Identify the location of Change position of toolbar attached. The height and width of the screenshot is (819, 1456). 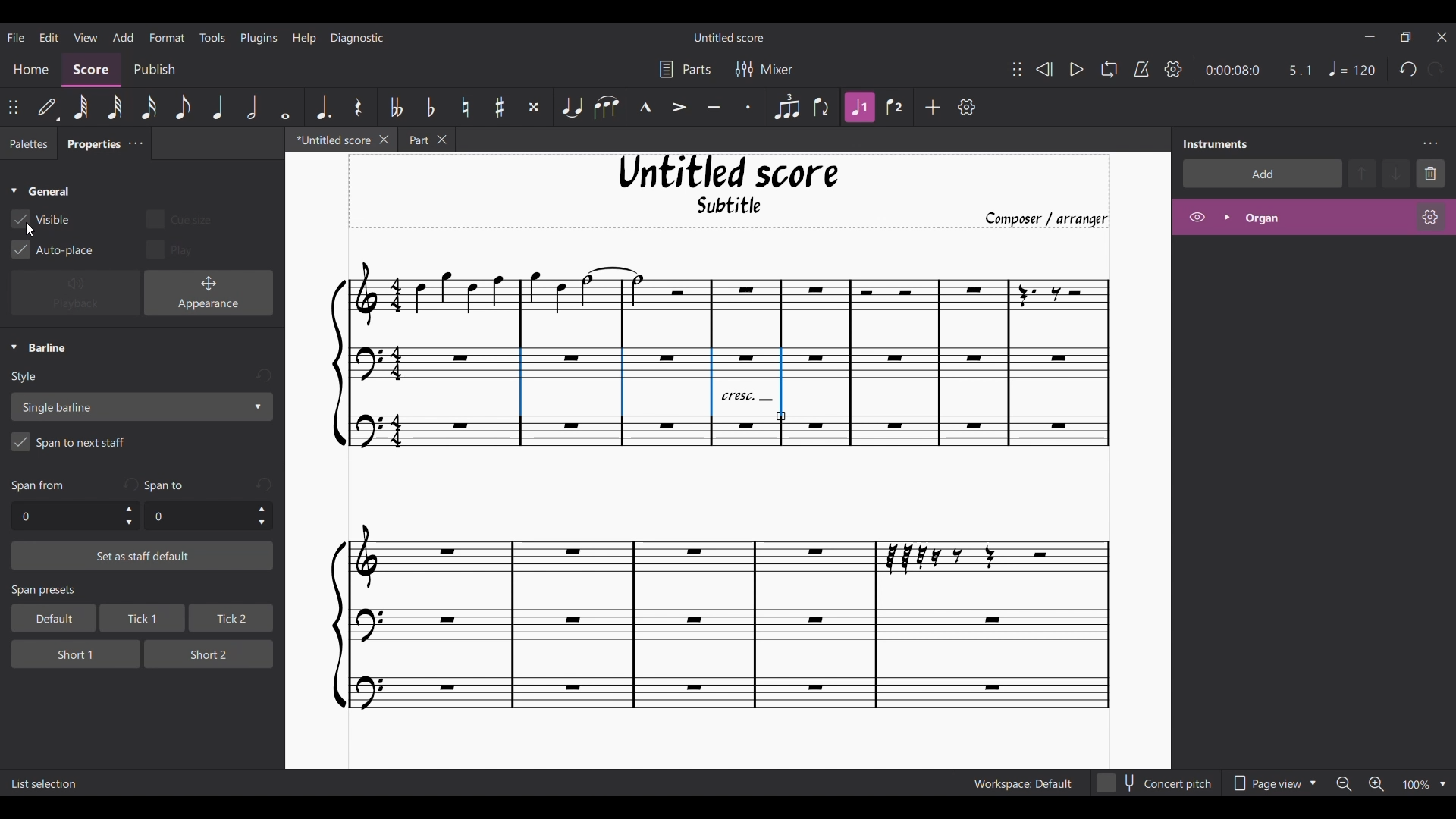
(1016, 69).